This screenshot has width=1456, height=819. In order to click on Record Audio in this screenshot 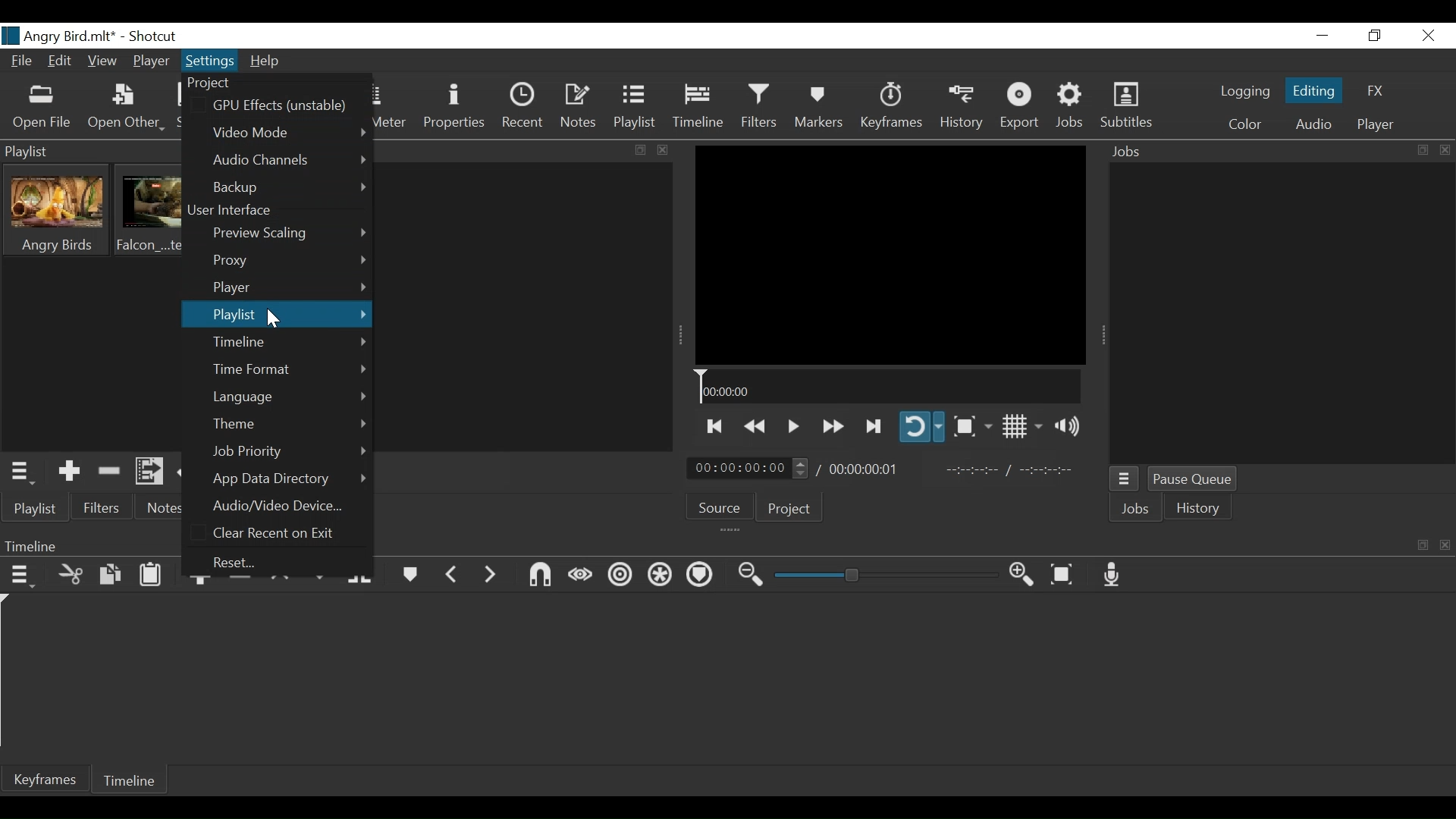, I will do `click(1113, 575)`.